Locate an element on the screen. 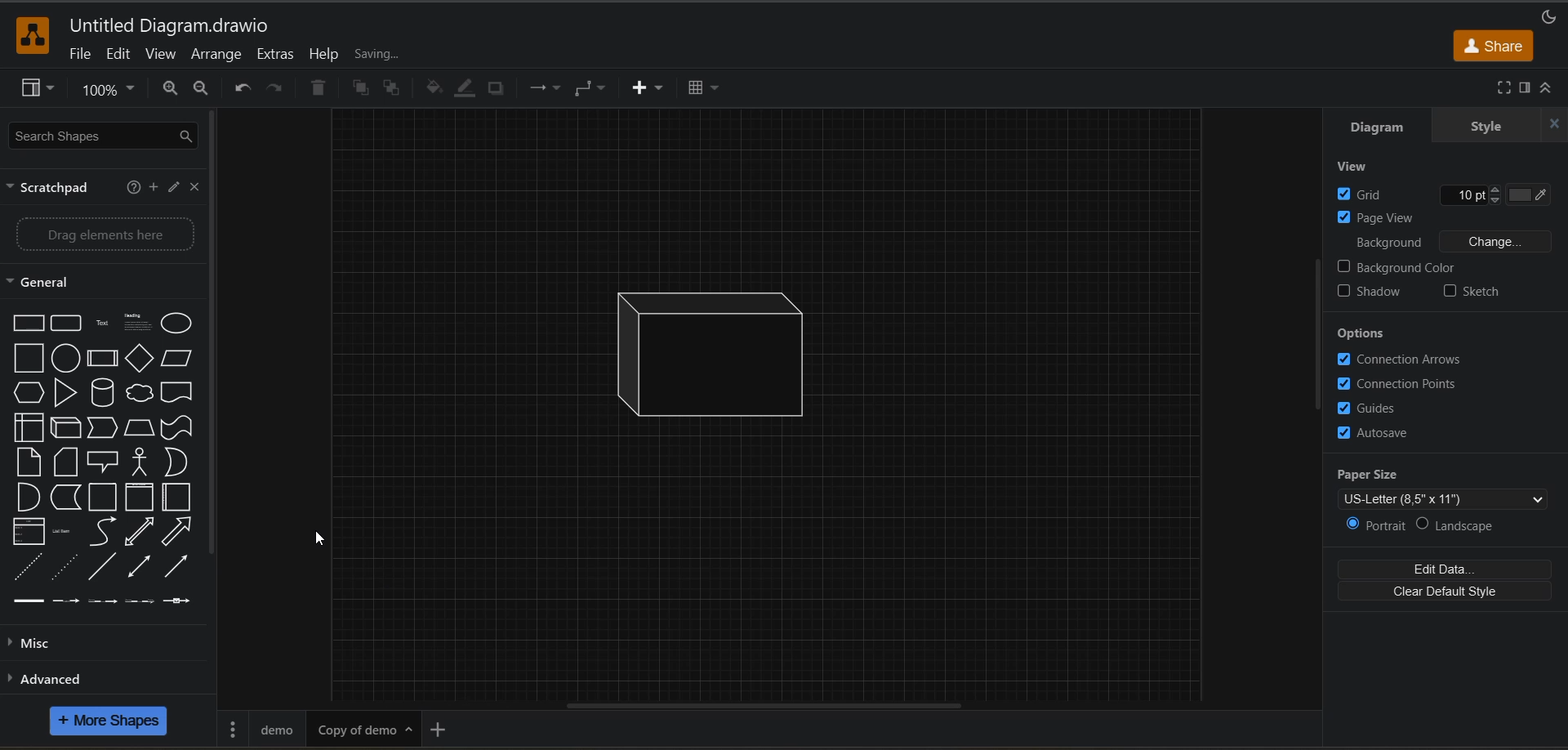 Image resolution: width=1568 pixels, height=750 pixels. connection arrows is located at coordinates (1402, 361).